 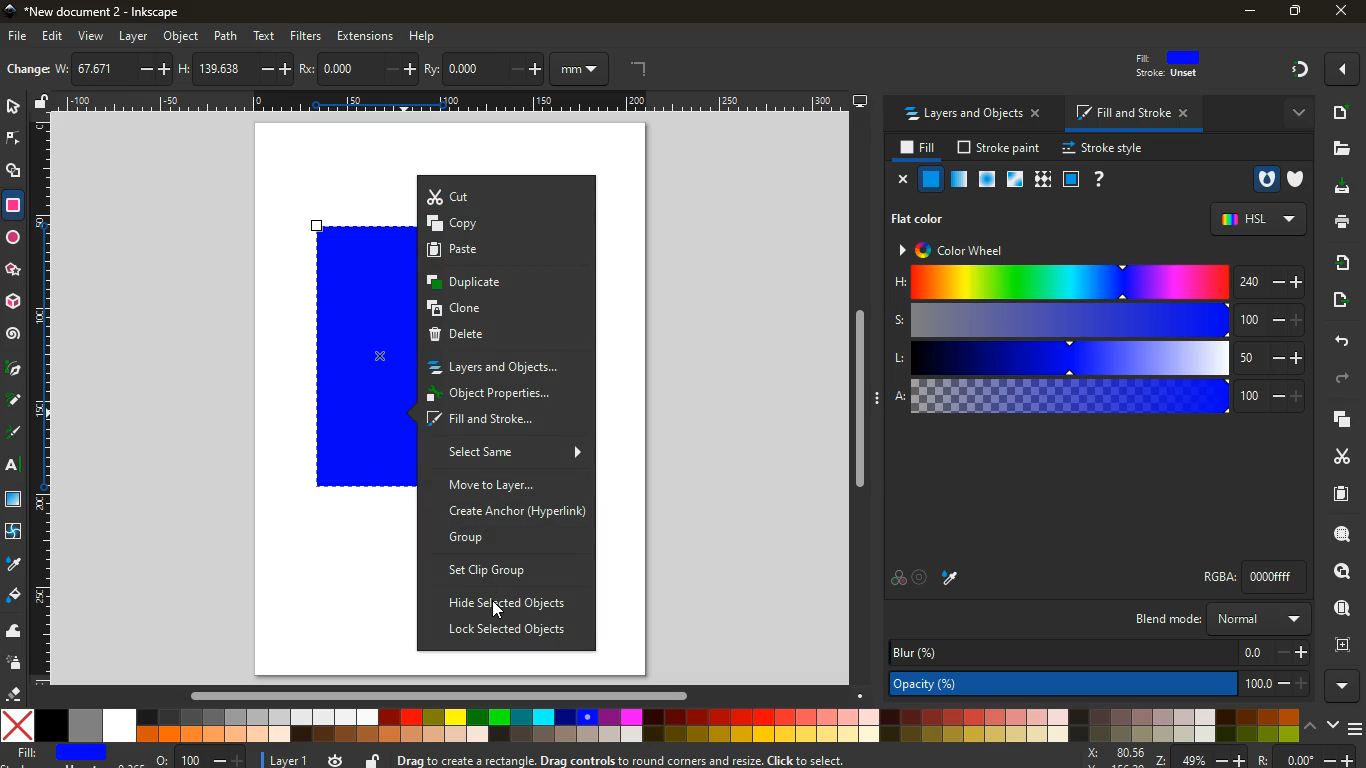 What do you see at coordinates (1334, 148) in the screenshot?
I see `files` at bounding box center [1334, 148].